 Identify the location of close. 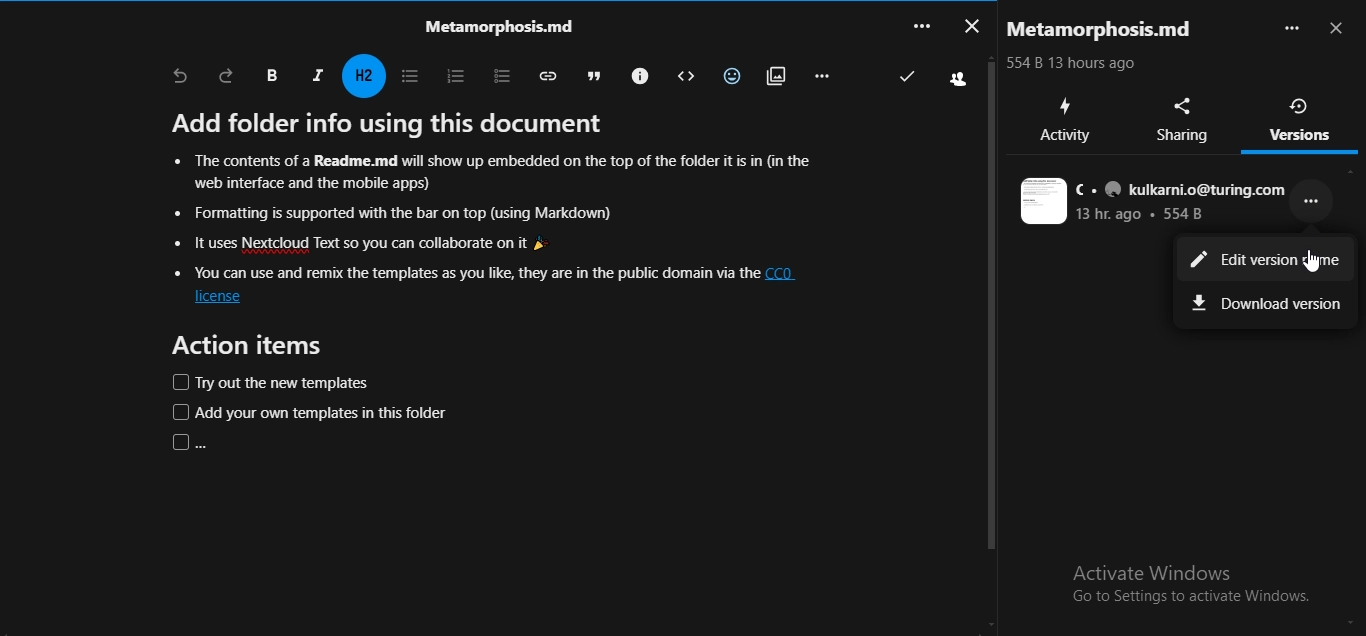
(970, 24).